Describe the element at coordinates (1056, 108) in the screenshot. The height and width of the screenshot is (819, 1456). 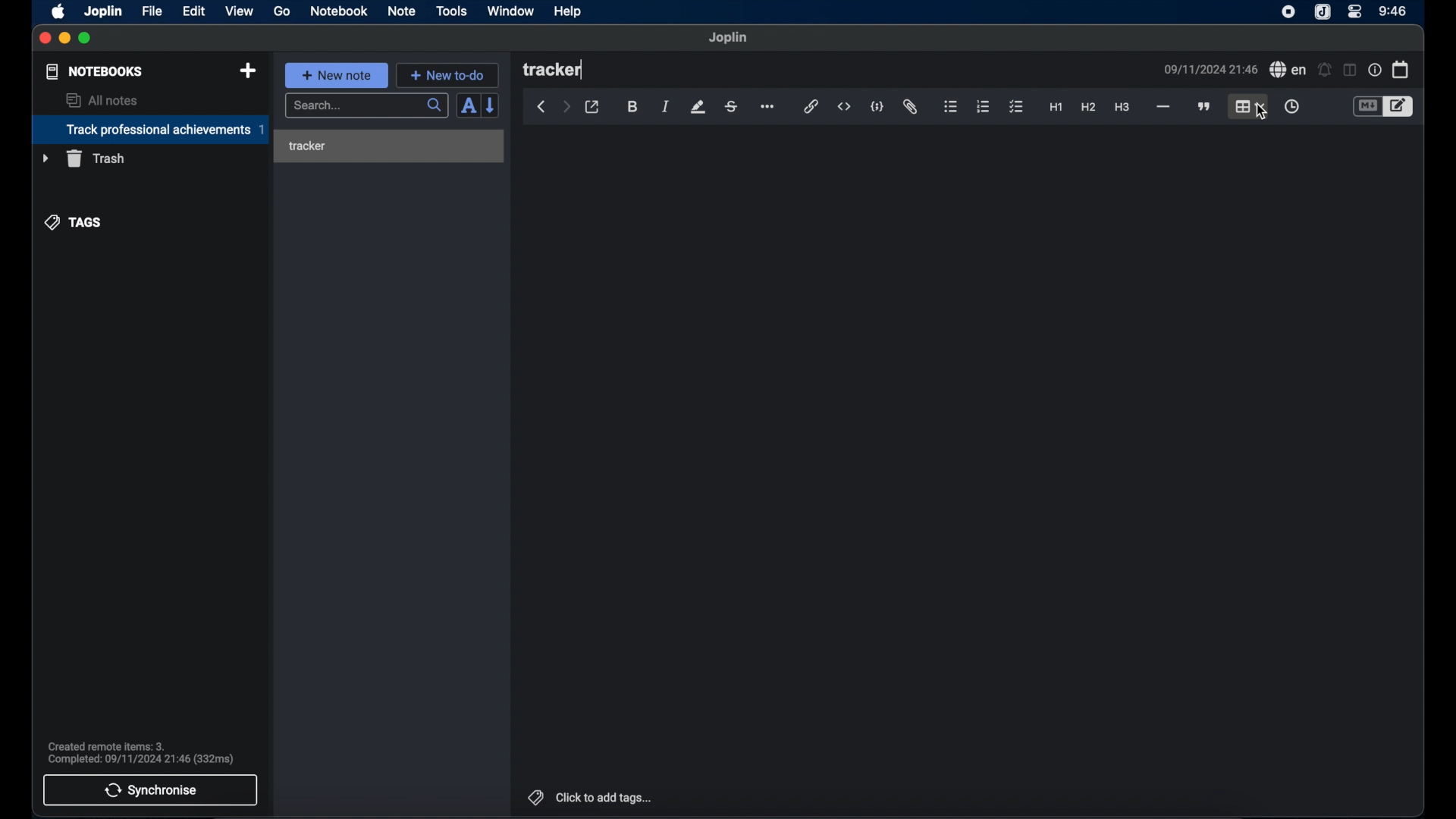
I see `heading 1` at that location.